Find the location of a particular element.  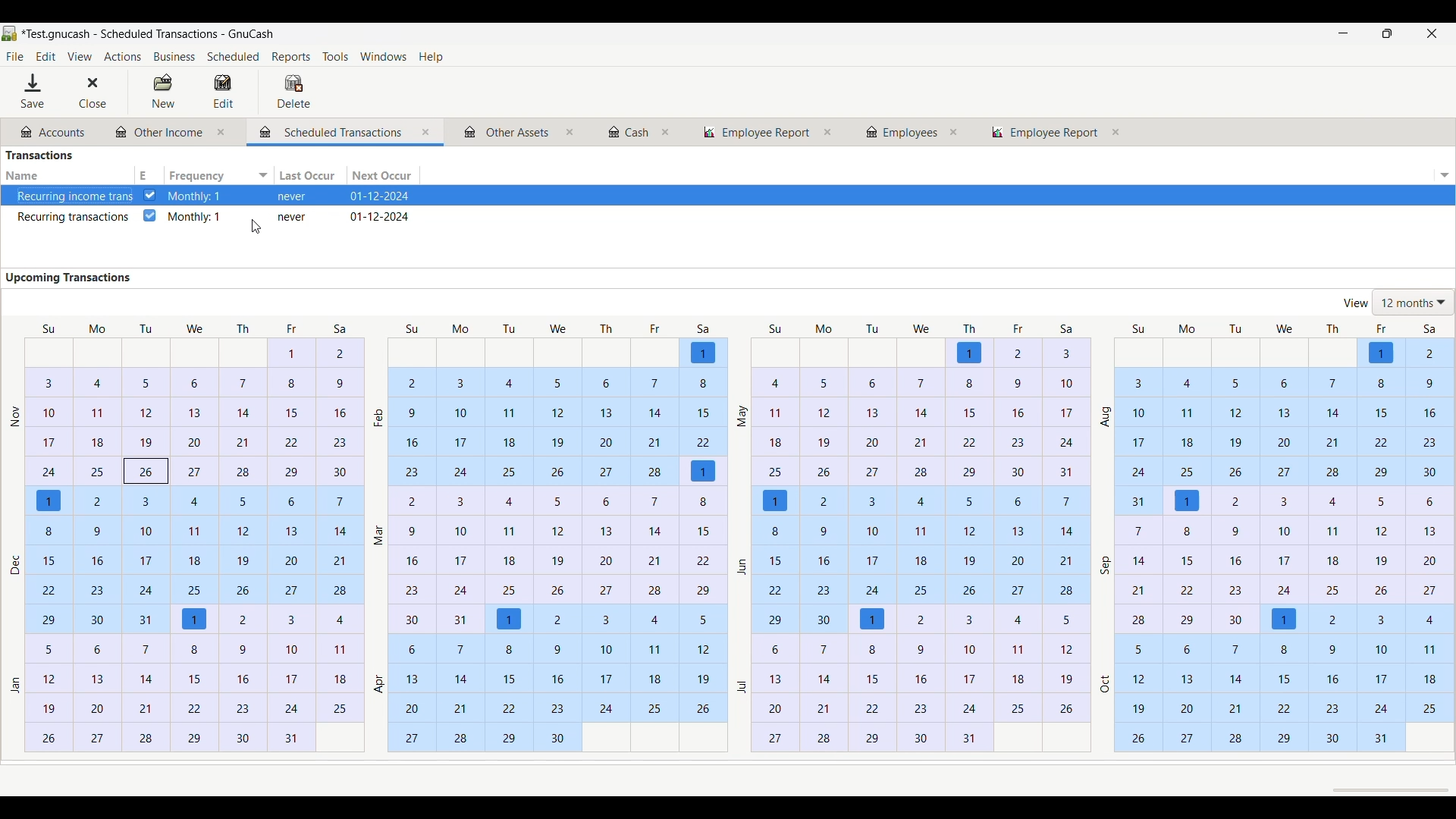

business is located at coordinates (174, 57).